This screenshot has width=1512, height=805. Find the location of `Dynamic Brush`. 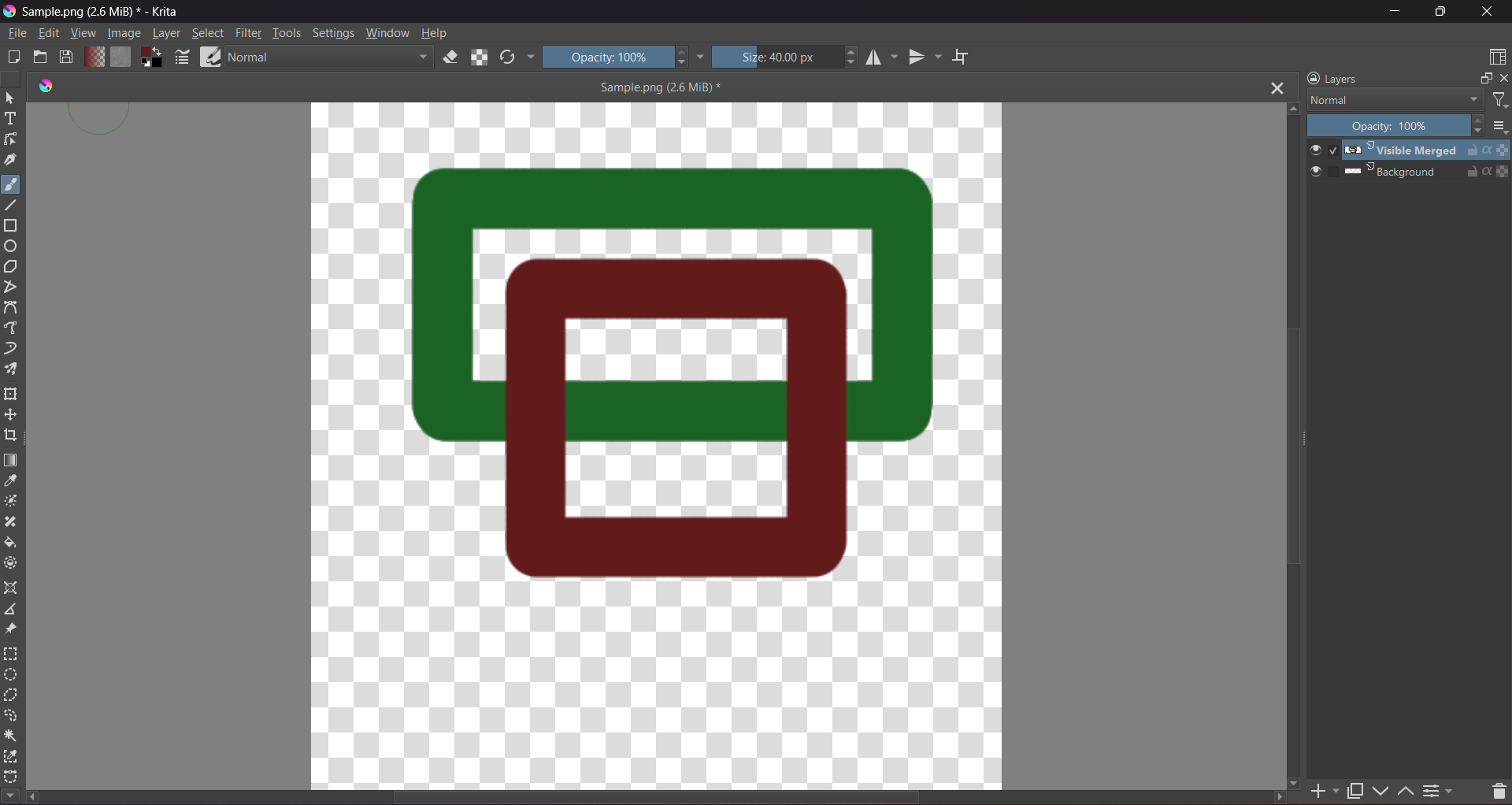

Dynamic Brush is located at coordinates (12, 349).